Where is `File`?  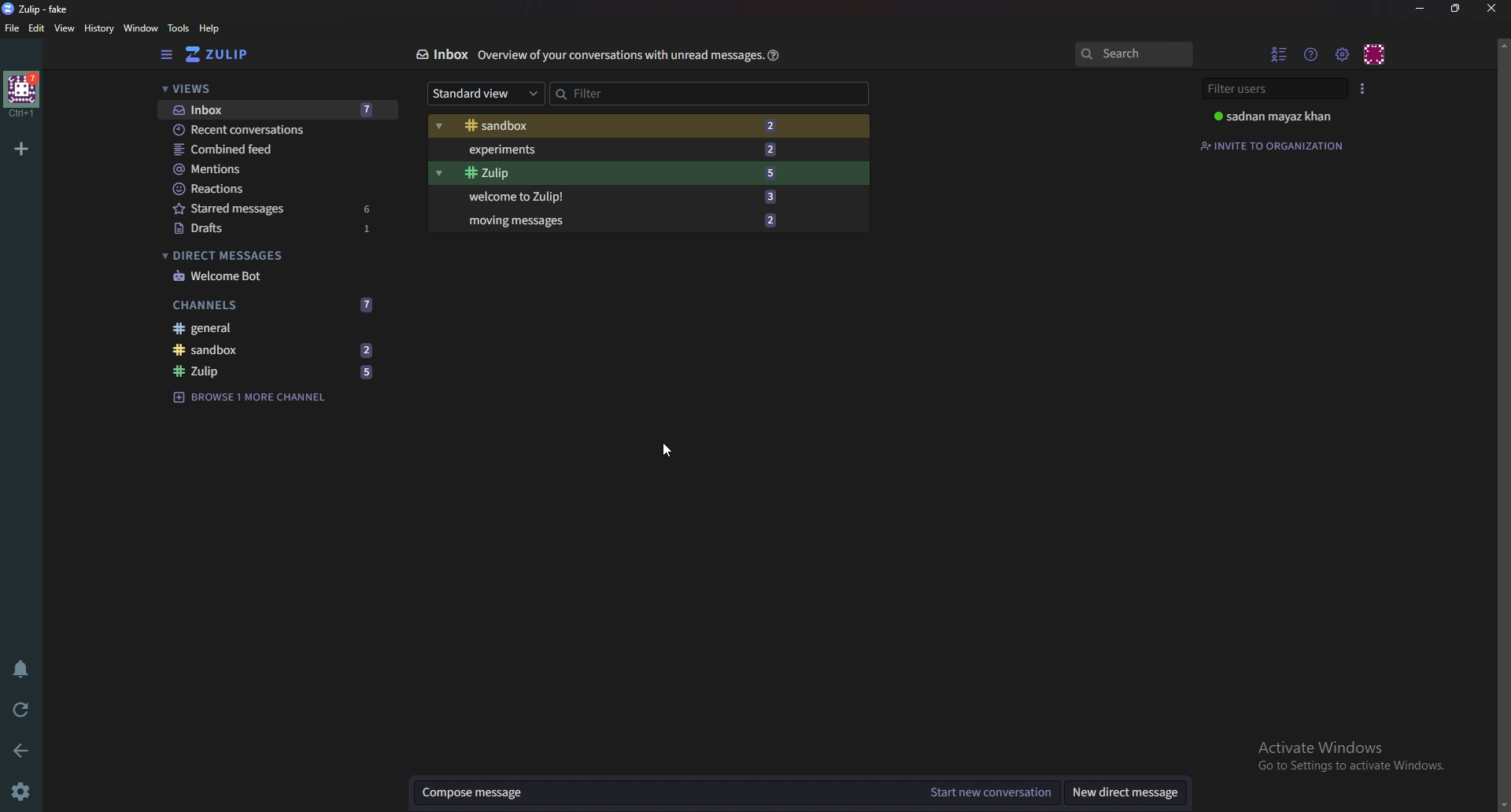
File is located at coordinates (13, 28).